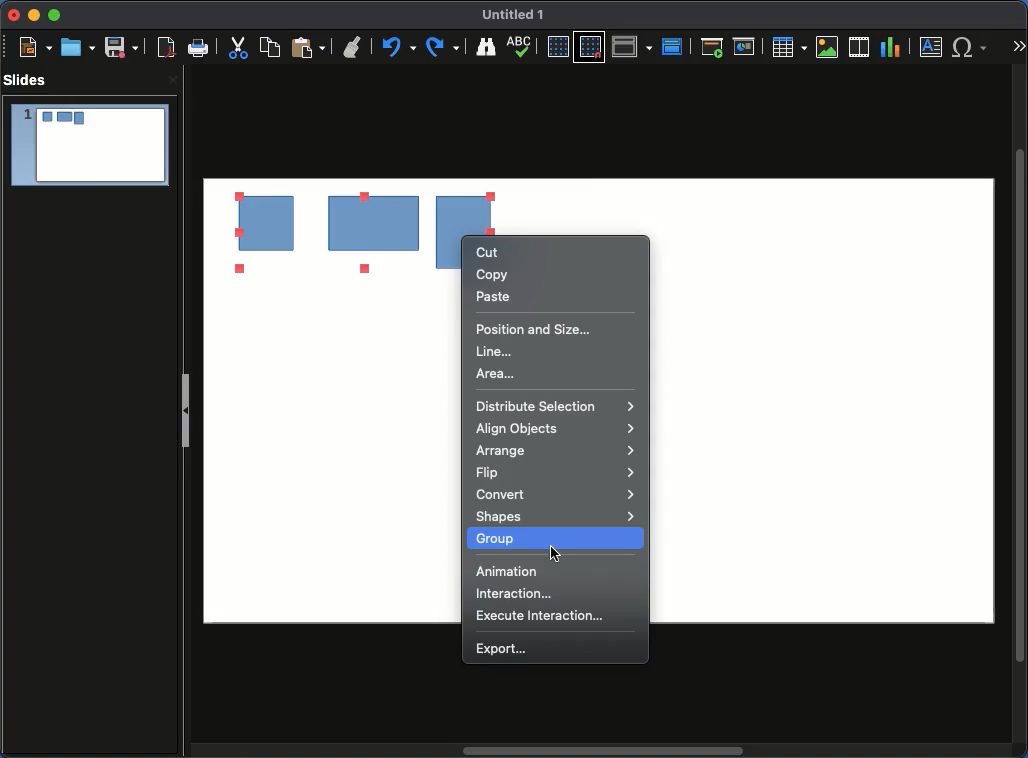  What do you see at coordinates (555, 451) in the screenshot?
I see `Arrange` at bounding box center [555, 451].